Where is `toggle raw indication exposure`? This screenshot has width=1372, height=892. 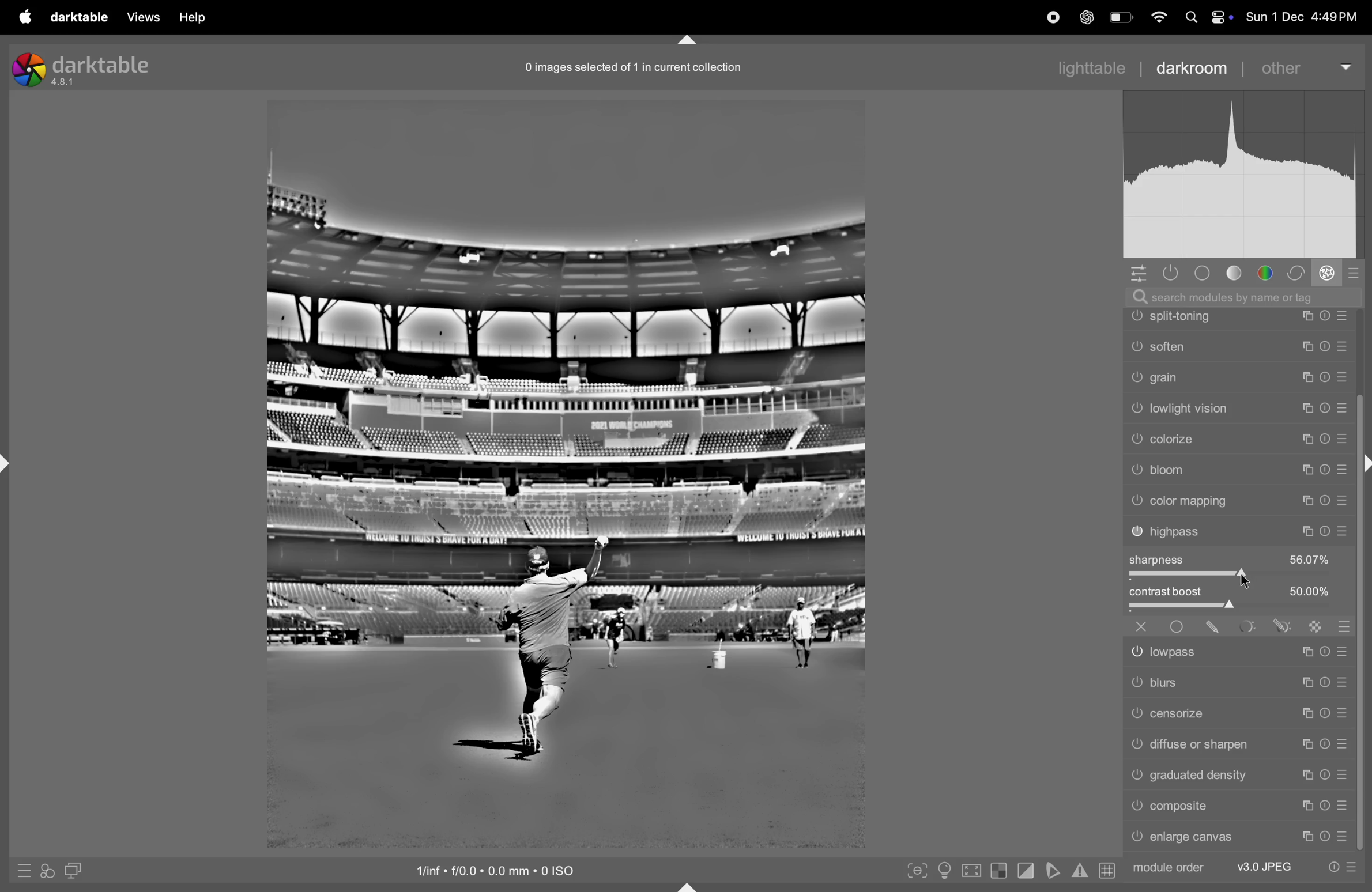 toggle raw indication exposure is located at coordinates (998, 872).